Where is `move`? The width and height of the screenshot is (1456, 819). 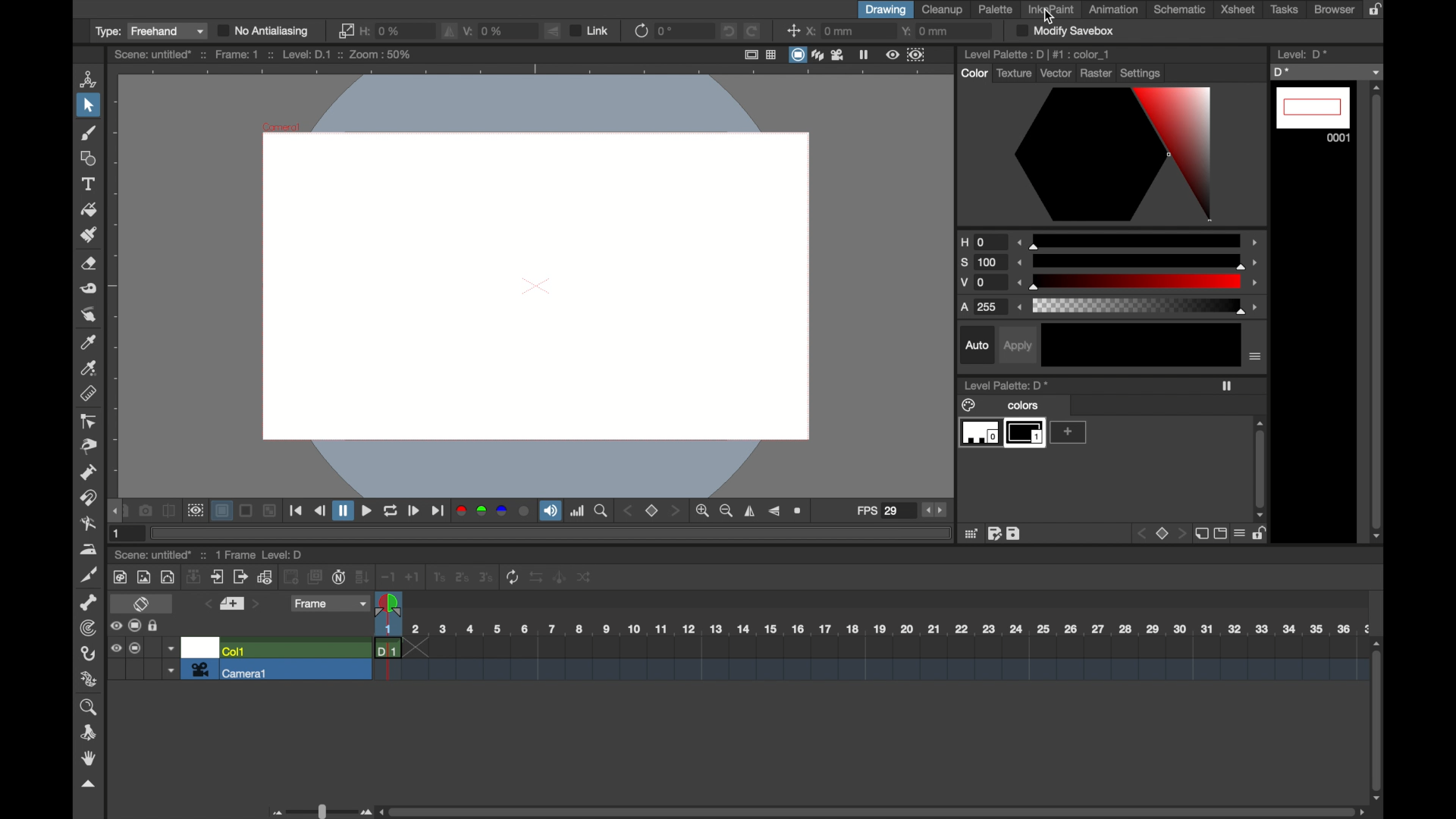 move is located at coordinates (217, 576).